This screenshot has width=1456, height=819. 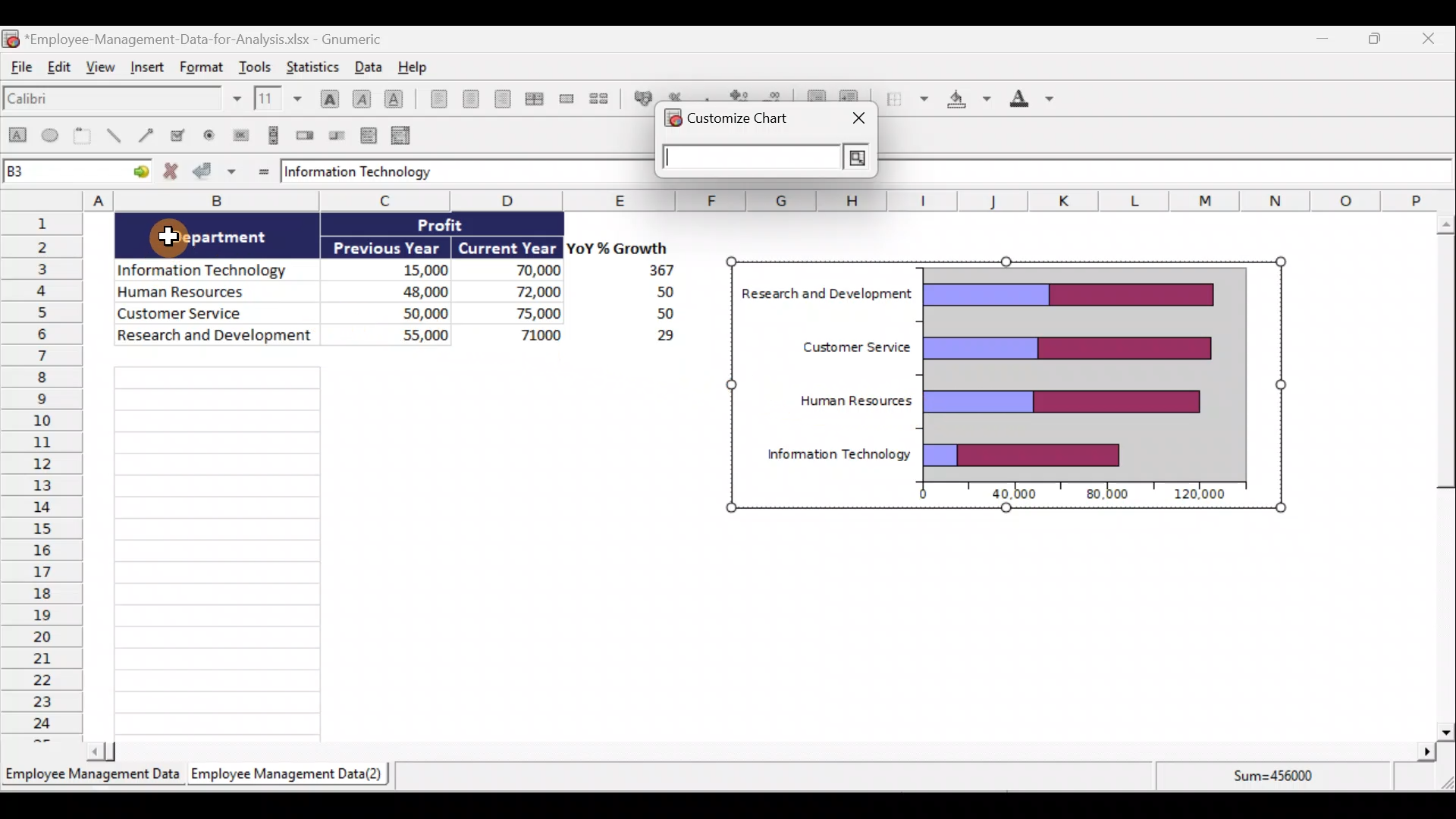 I want to click on 48,000, so click(x=403, y=290).